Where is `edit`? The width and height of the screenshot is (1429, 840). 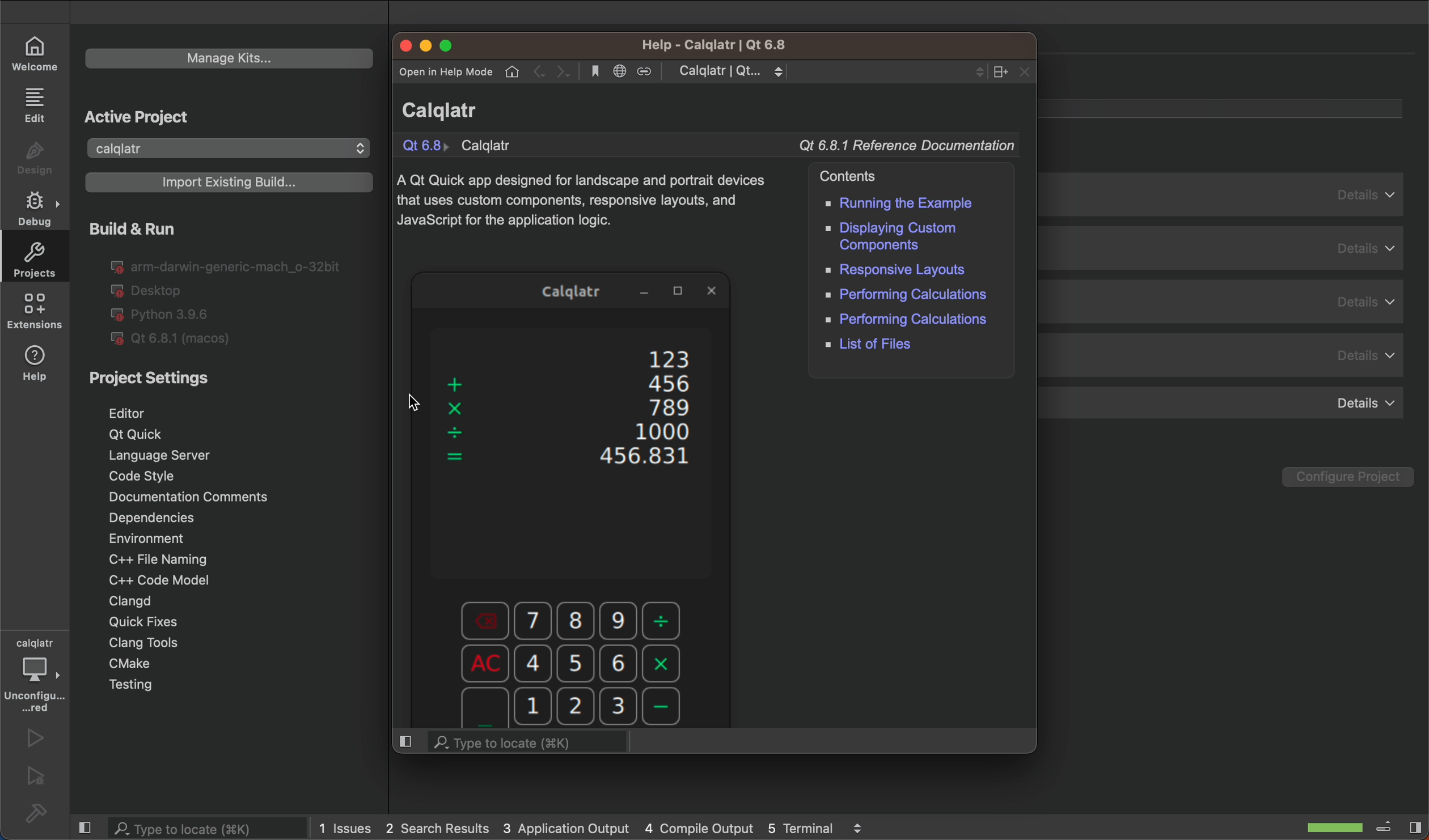 edit is located at coordinates (35, 104).